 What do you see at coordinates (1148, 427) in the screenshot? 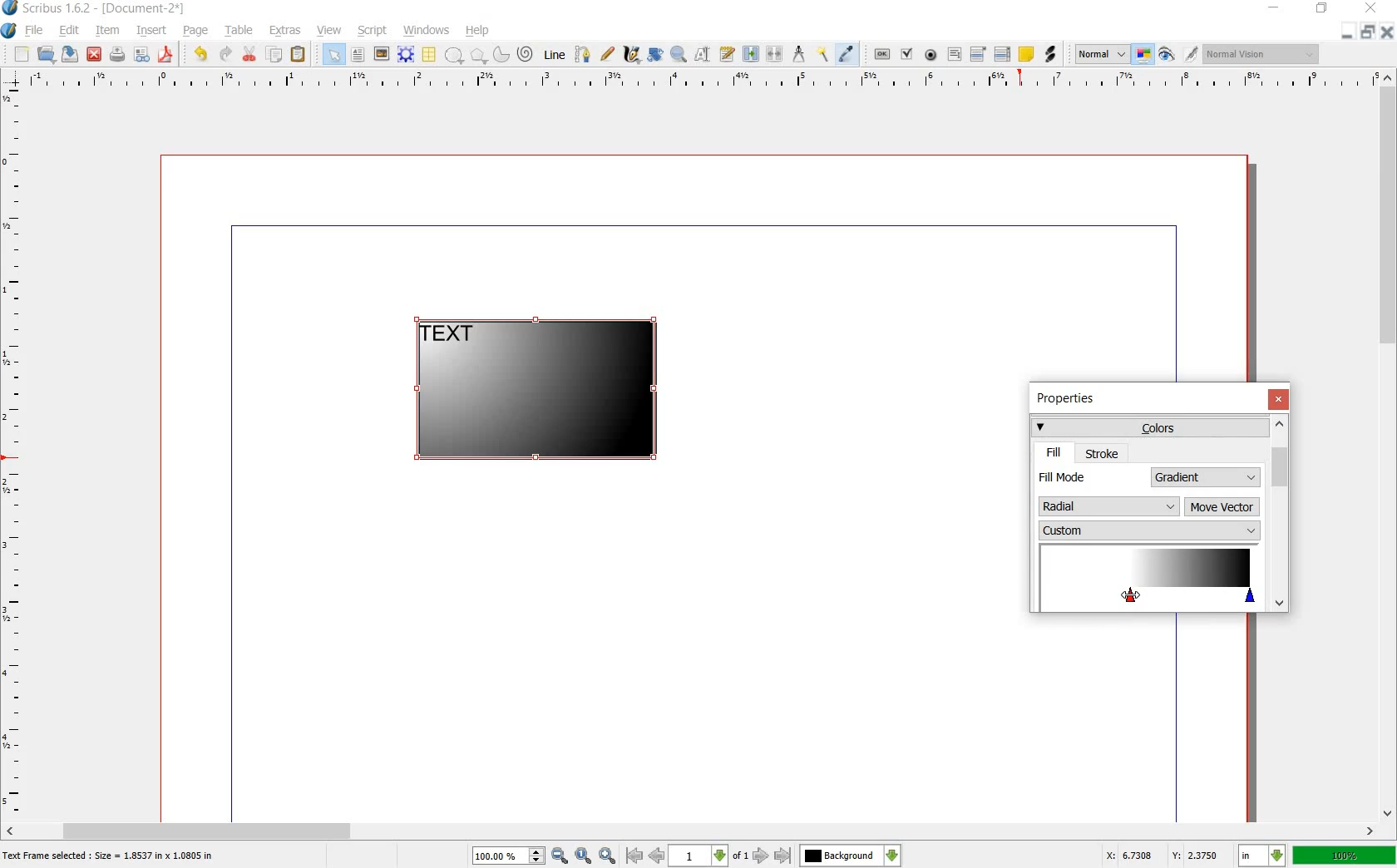
I see `colors` at bounding box center [1148, 427].